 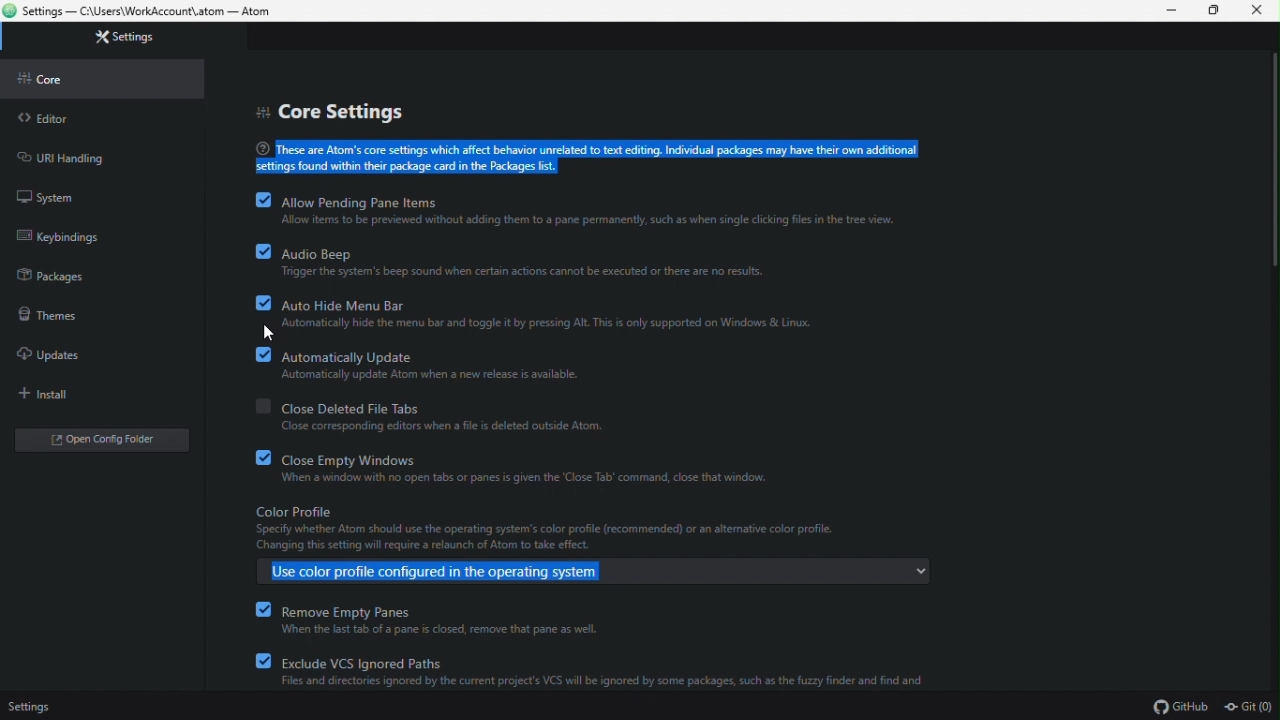 I want to click on cursor, so click(x=271, y=335).